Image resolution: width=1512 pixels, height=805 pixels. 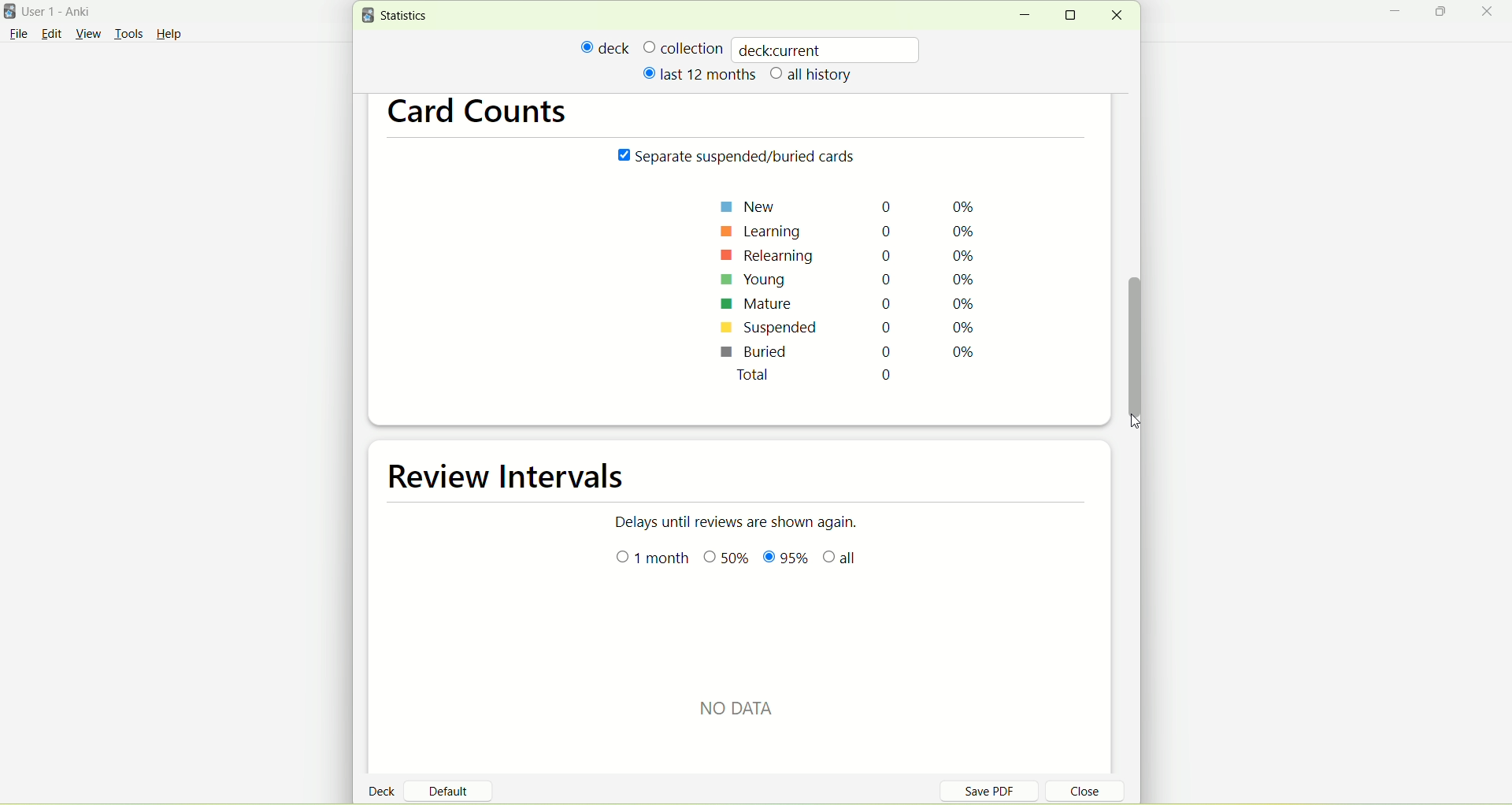 What do you see at coordinates (812, 76) in the screenshot?
I see `all history` at bounding box center [812, 76].